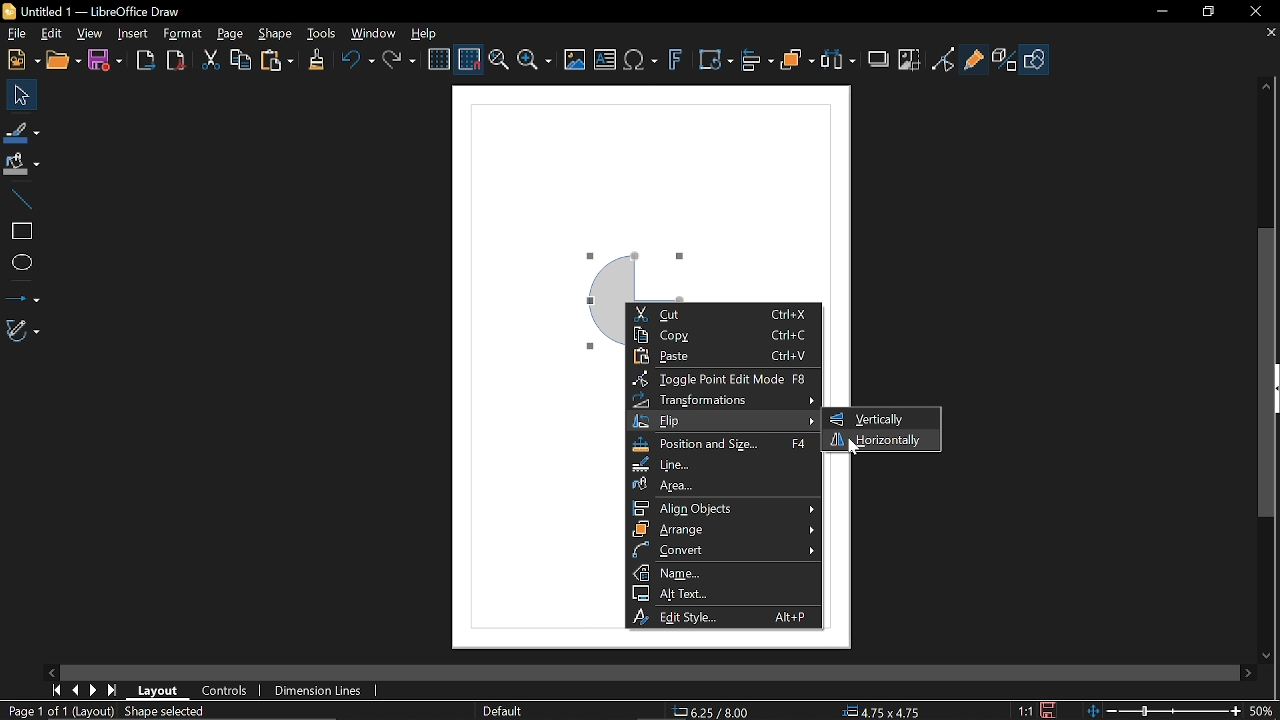 This screenshot has width=1280, height=720. What do you see at coordinates (723, 400) in the screenshot?
I see `Transformation` at bounding box center [723, 400].